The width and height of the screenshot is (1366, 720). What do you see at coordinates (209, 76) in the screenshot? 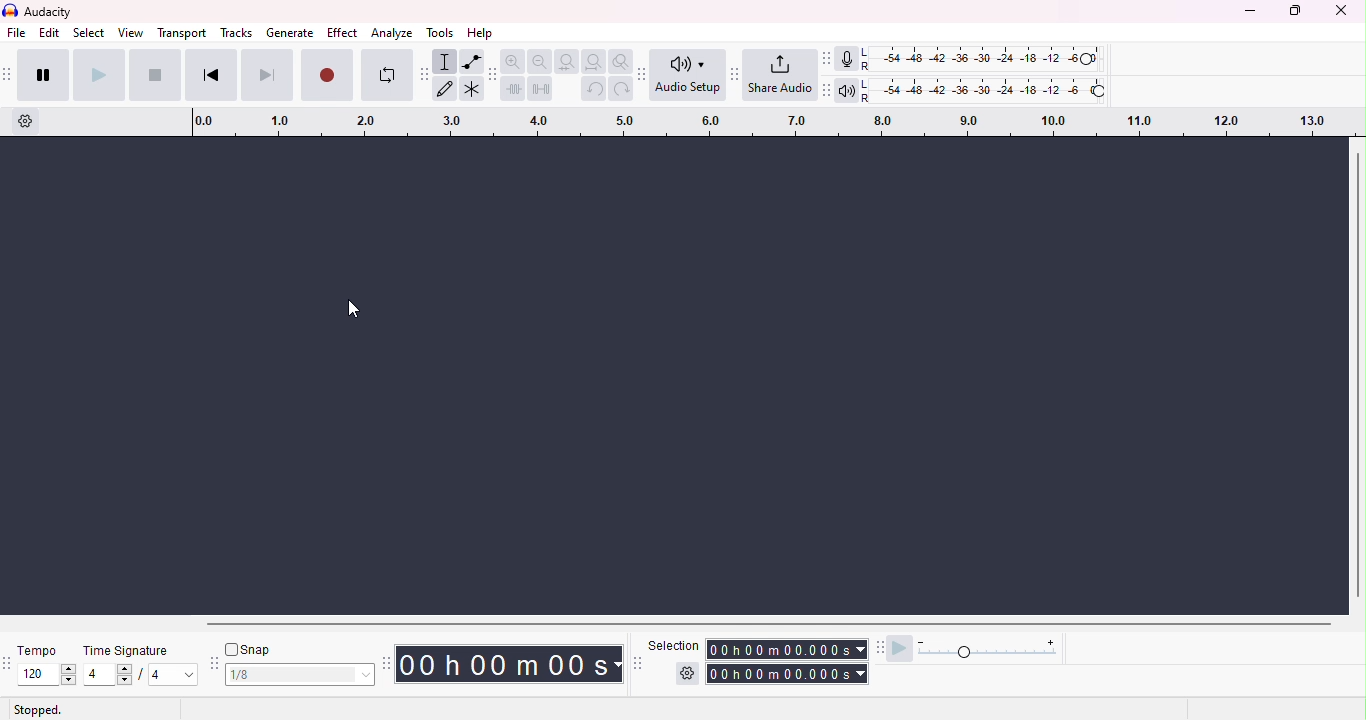
I see `previous` at bounding box center [209, 76].